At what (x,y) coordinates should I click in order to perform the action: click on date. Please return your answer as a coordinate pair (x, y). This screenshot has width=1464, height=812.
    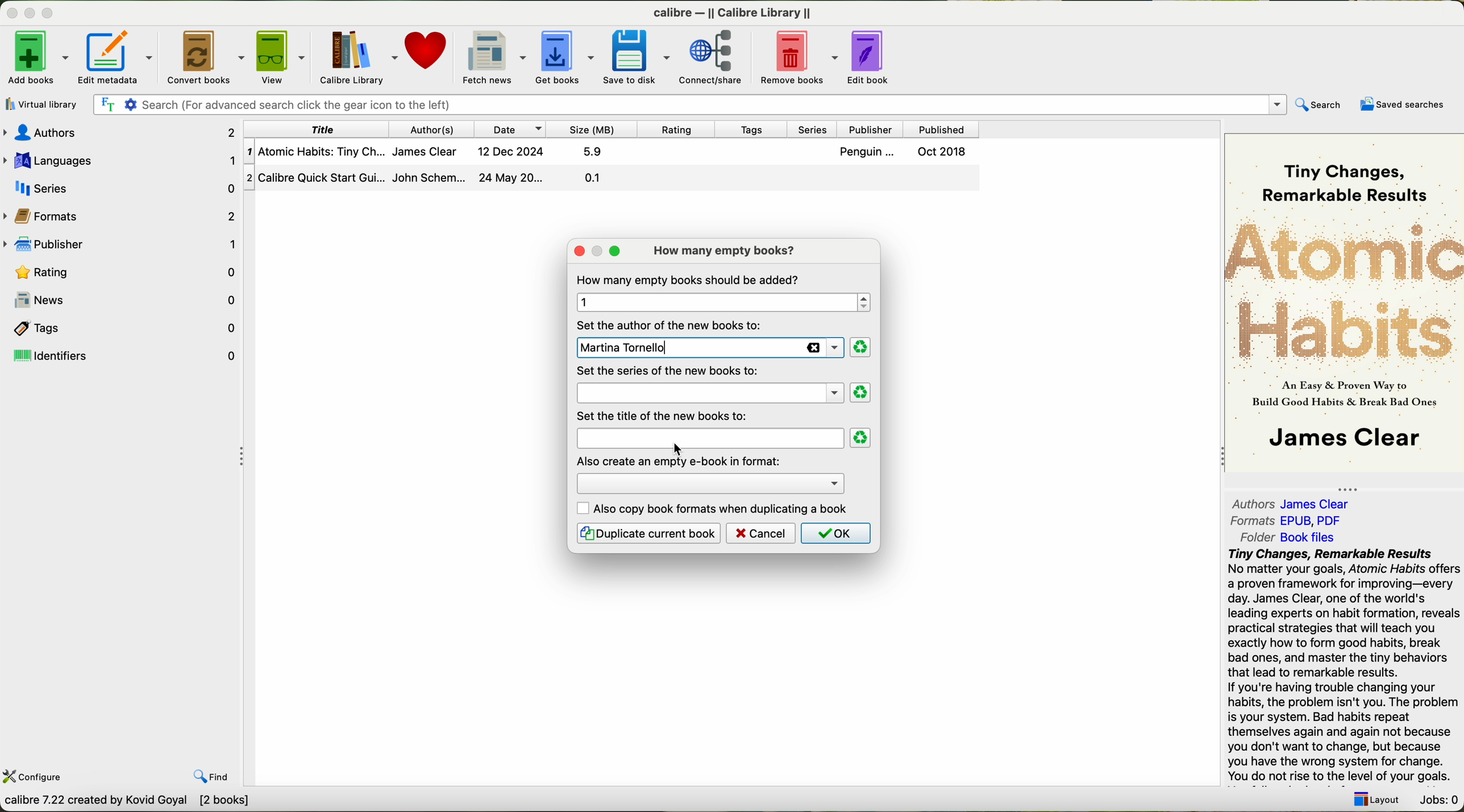
    Looking at the image, I should click on (512, 129).